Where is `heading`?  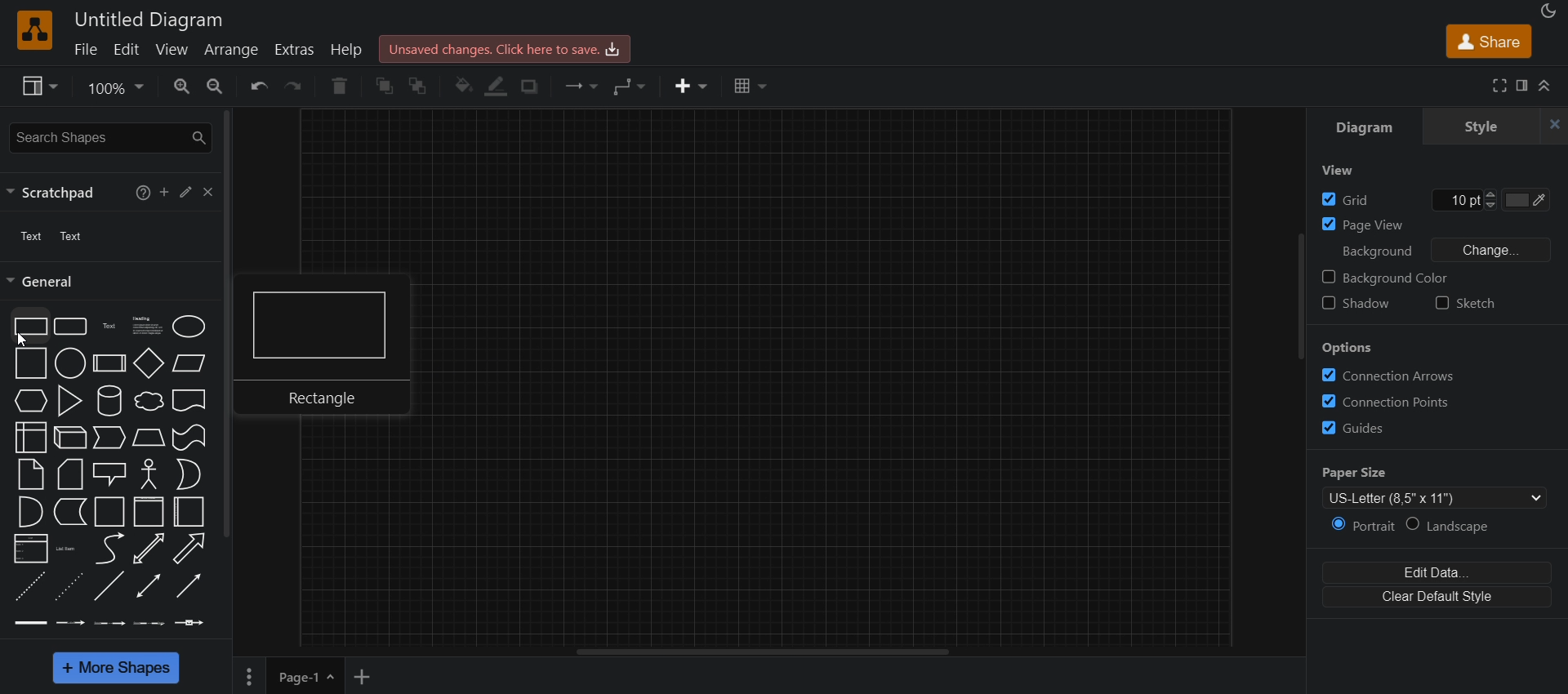
heading is located at coordinates (145, 325).